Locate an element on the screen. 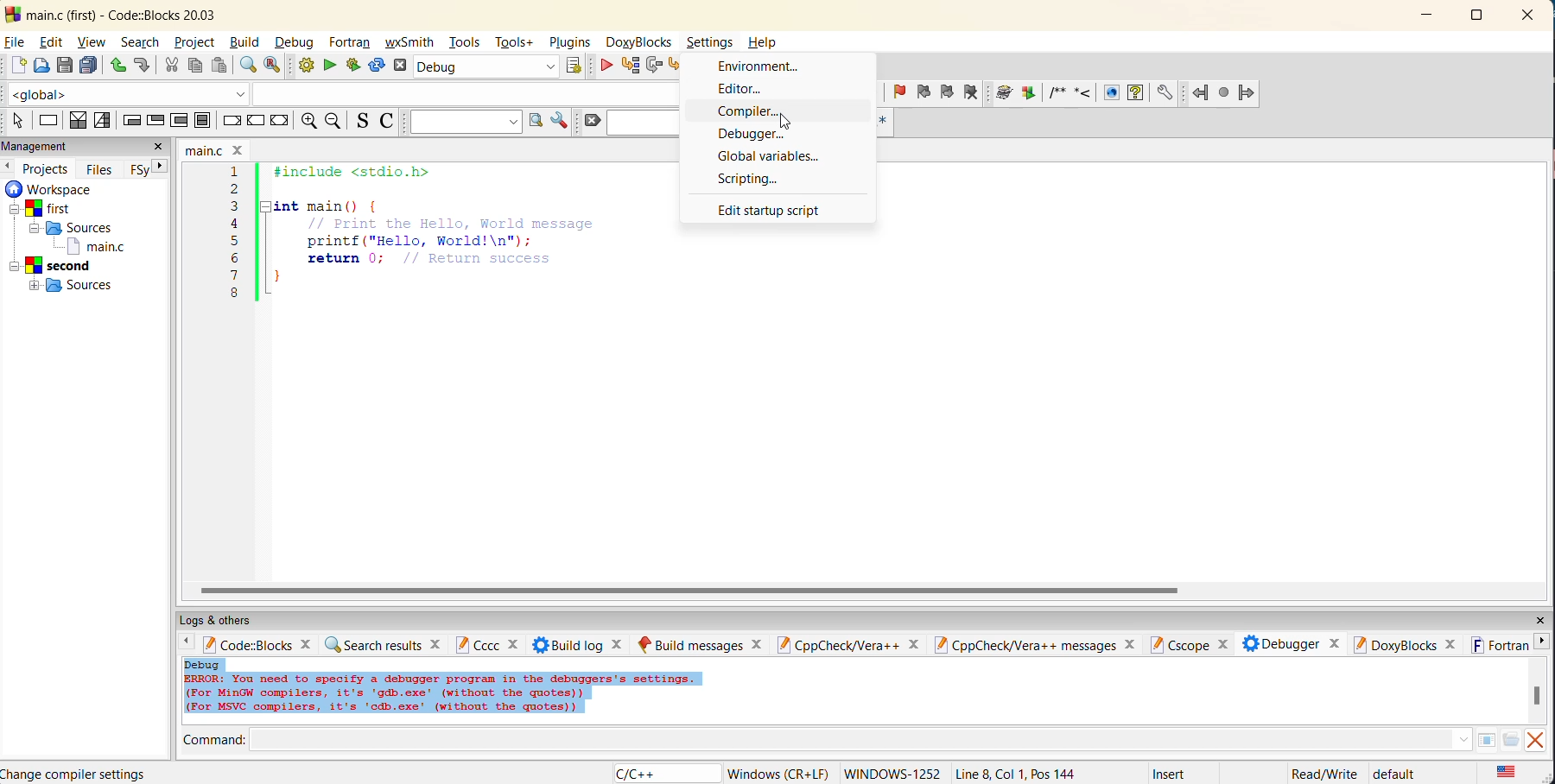 Image resolution: width=1555 pixels, height=784 pixels. close is located at coordinates (1529, 16).